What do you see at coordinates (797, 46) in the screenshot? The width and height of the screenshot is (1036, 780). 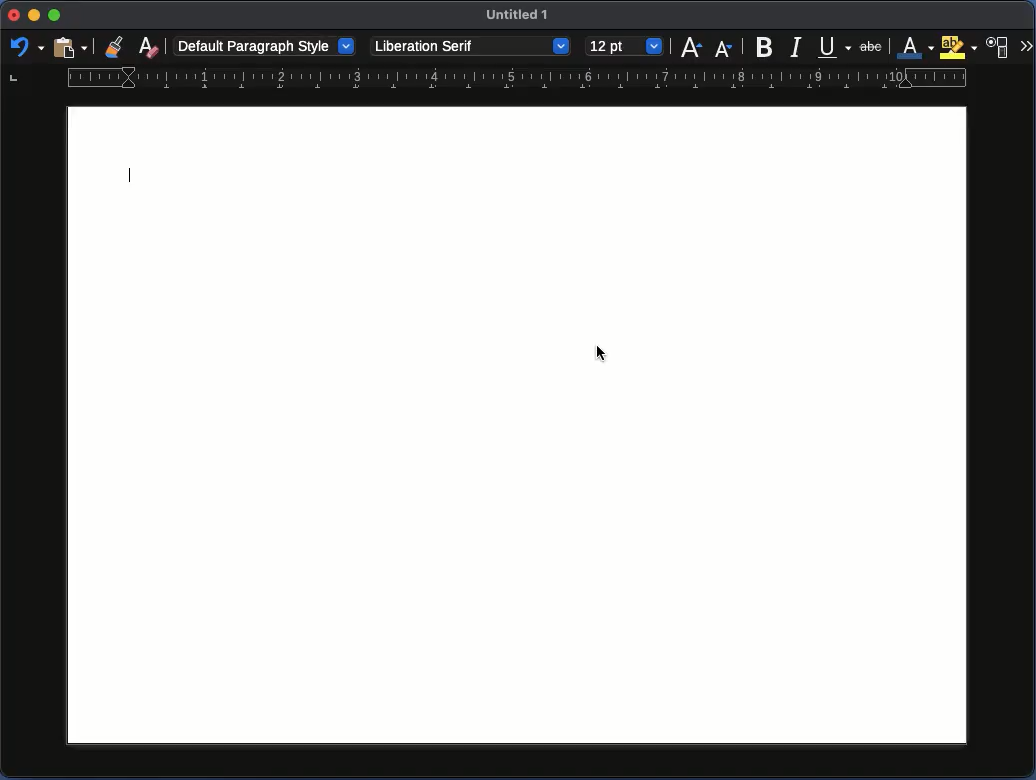 I see `Italics` at bounding box center [797, 46].